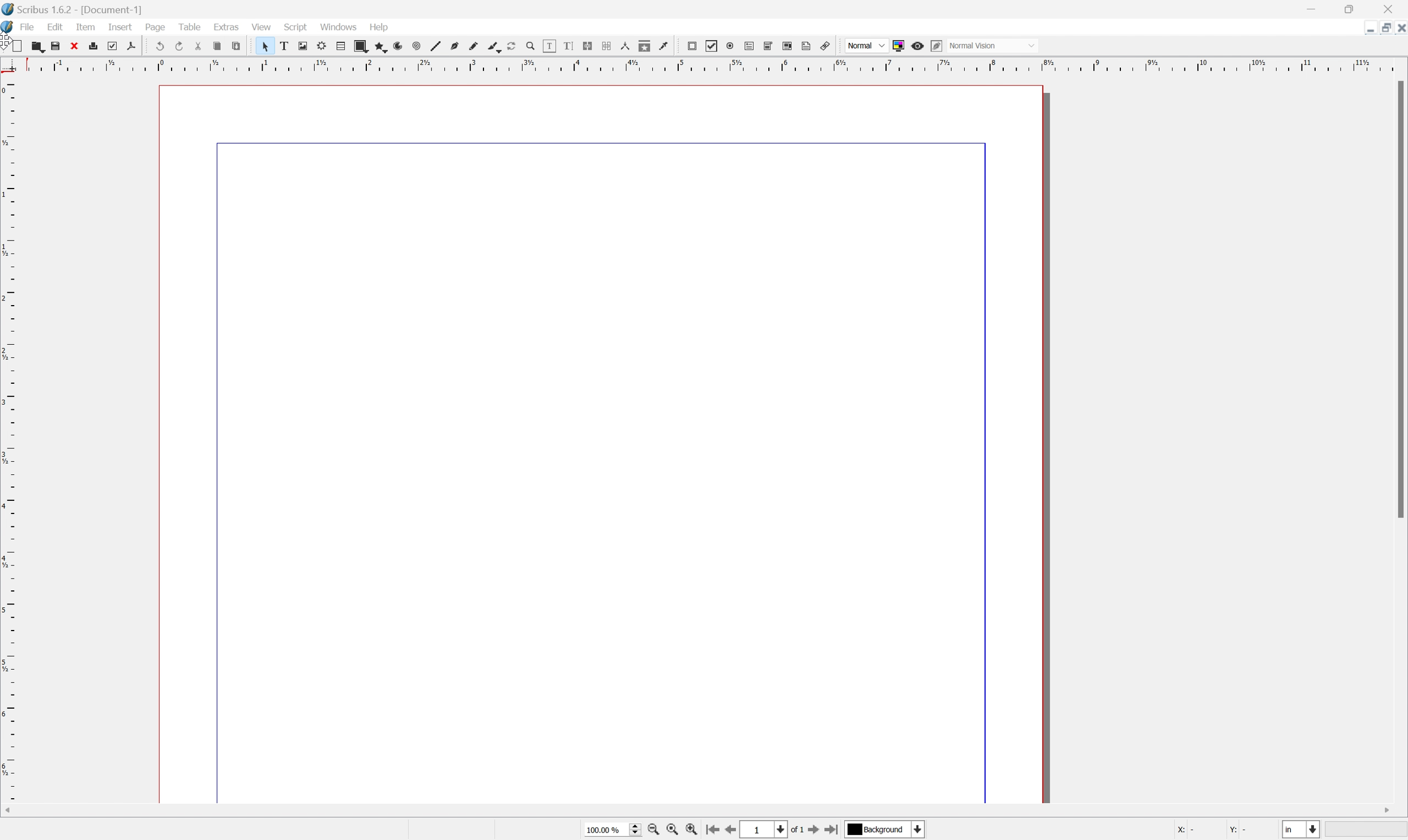 This screenshot has width=1408, height=840. What do you see at coordinates (491, 45) in the screenshot?
I see `calligraphy line` at bounding box center [491, 45].